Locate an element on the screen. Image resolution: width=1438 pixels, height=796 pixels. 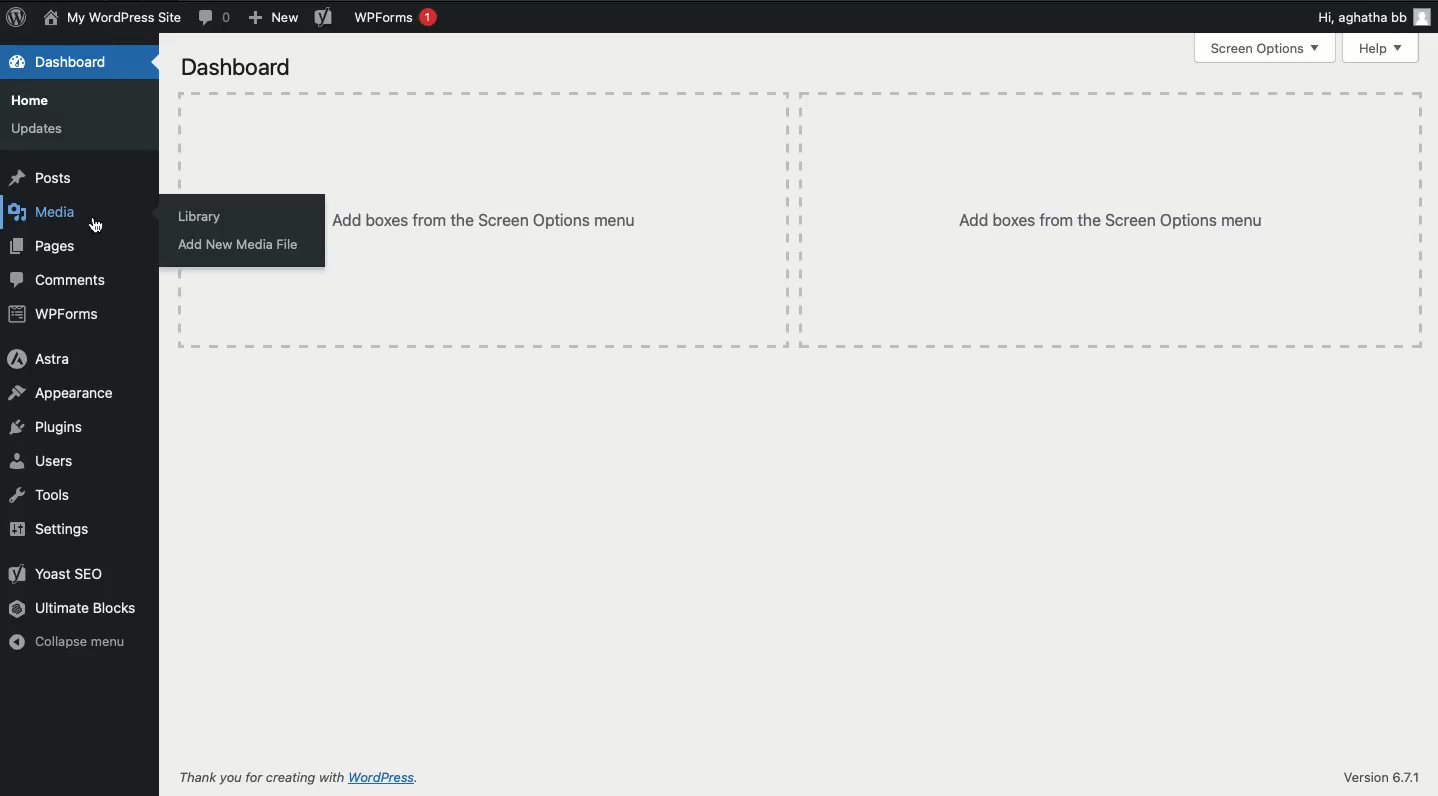
Plugins is located at coordinates (48, 427).